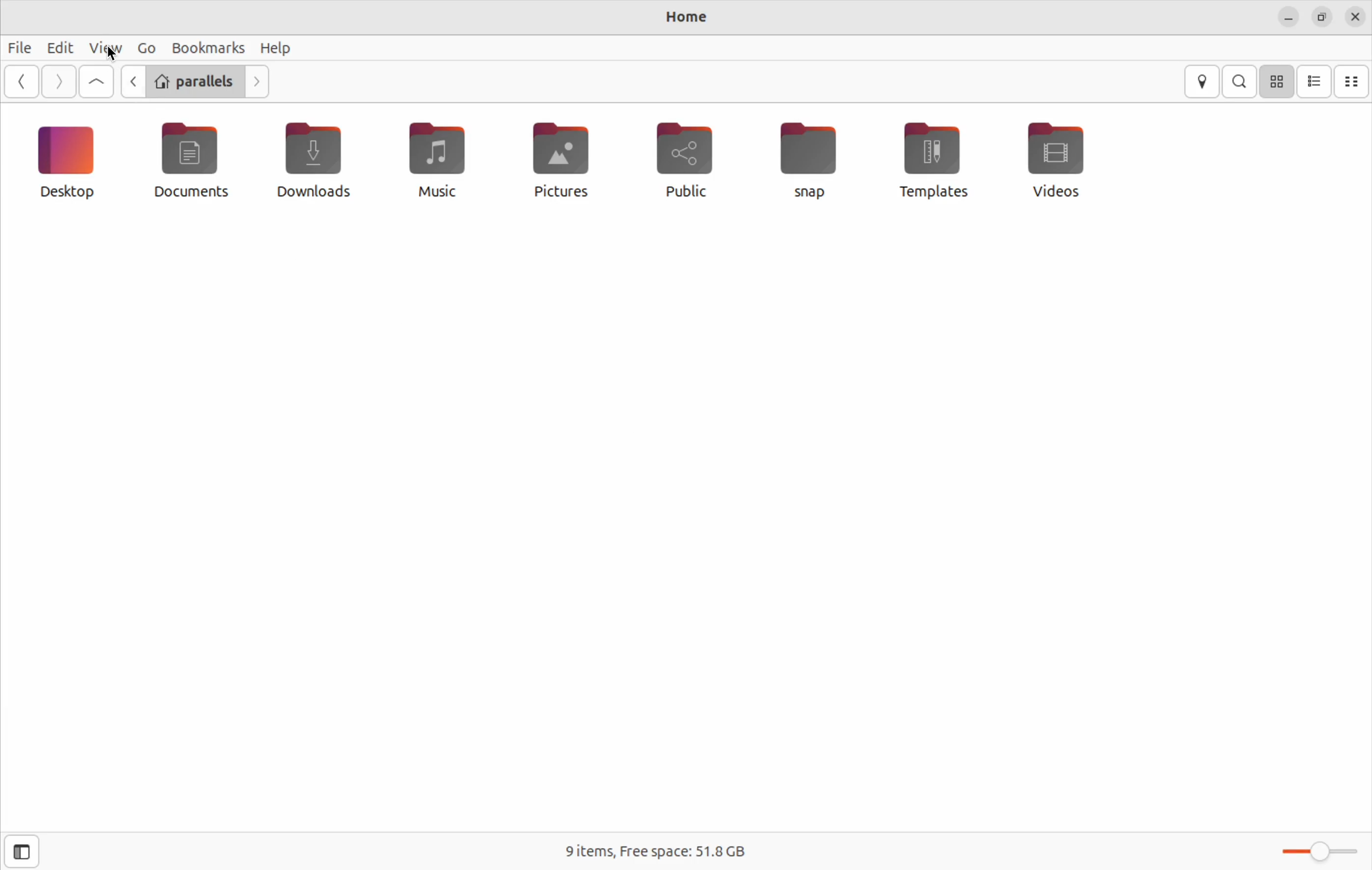  Describe the element at coordinates (930, 159) in the screenshot. I see `Templates` at that location.